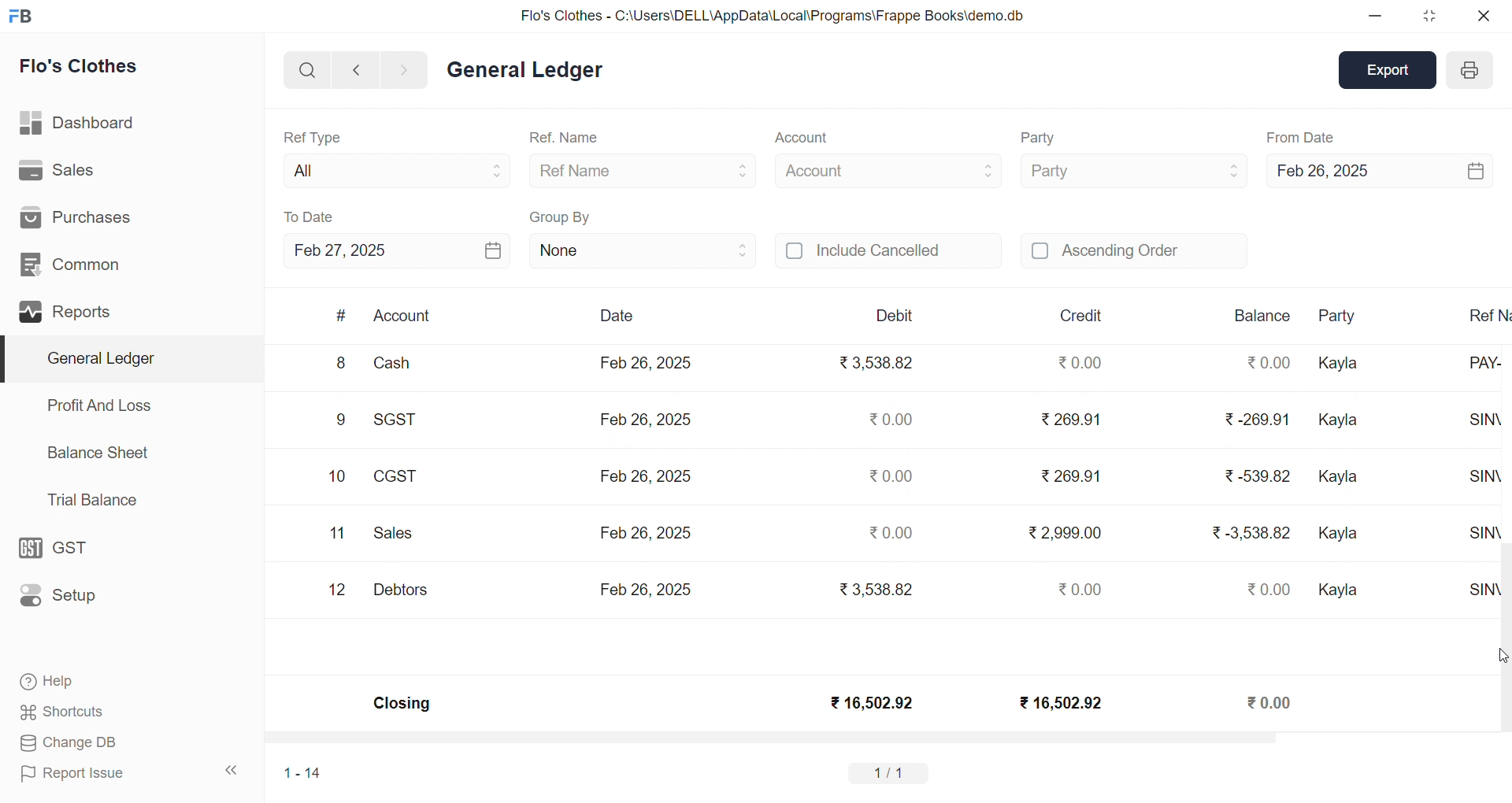  What do you see at coordinates (888, 419) in the screenshot?
I see `₹0.00` at bounding box center [888, 419].